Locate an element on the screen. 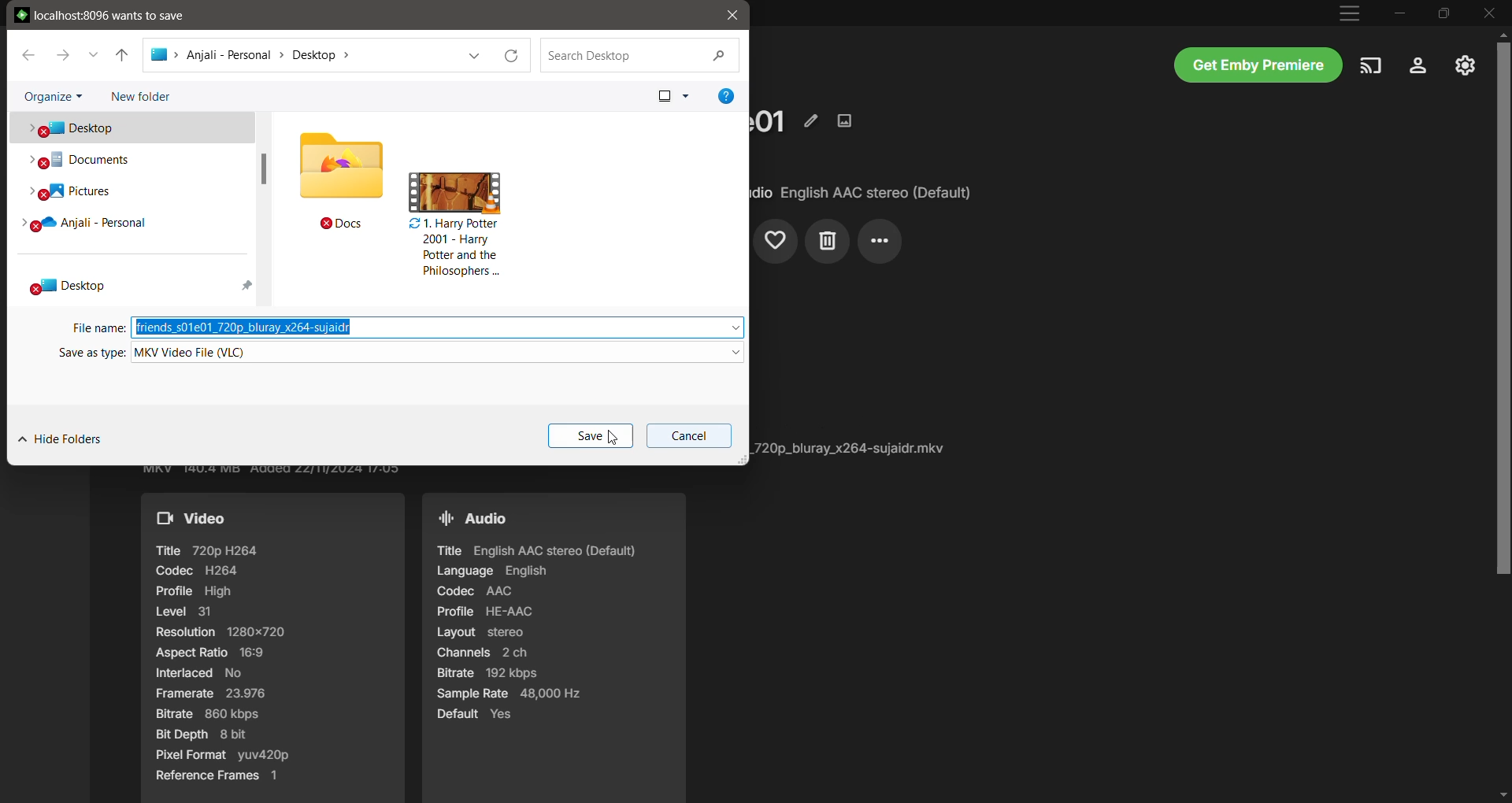  Hide Folders is located at coordinates (64, 440).